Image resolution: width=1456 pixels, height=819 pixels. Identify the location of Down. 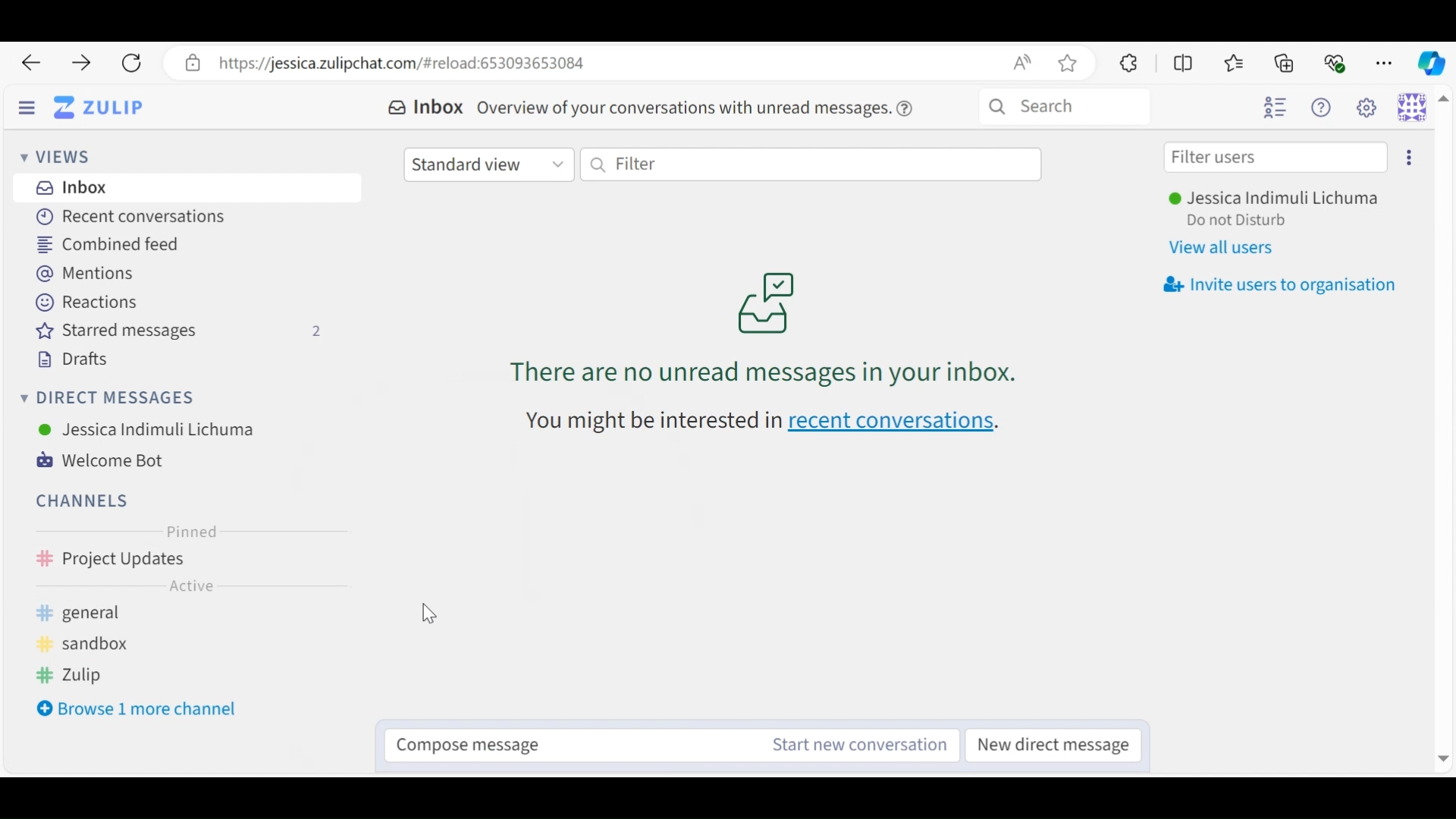
(1439, 754).